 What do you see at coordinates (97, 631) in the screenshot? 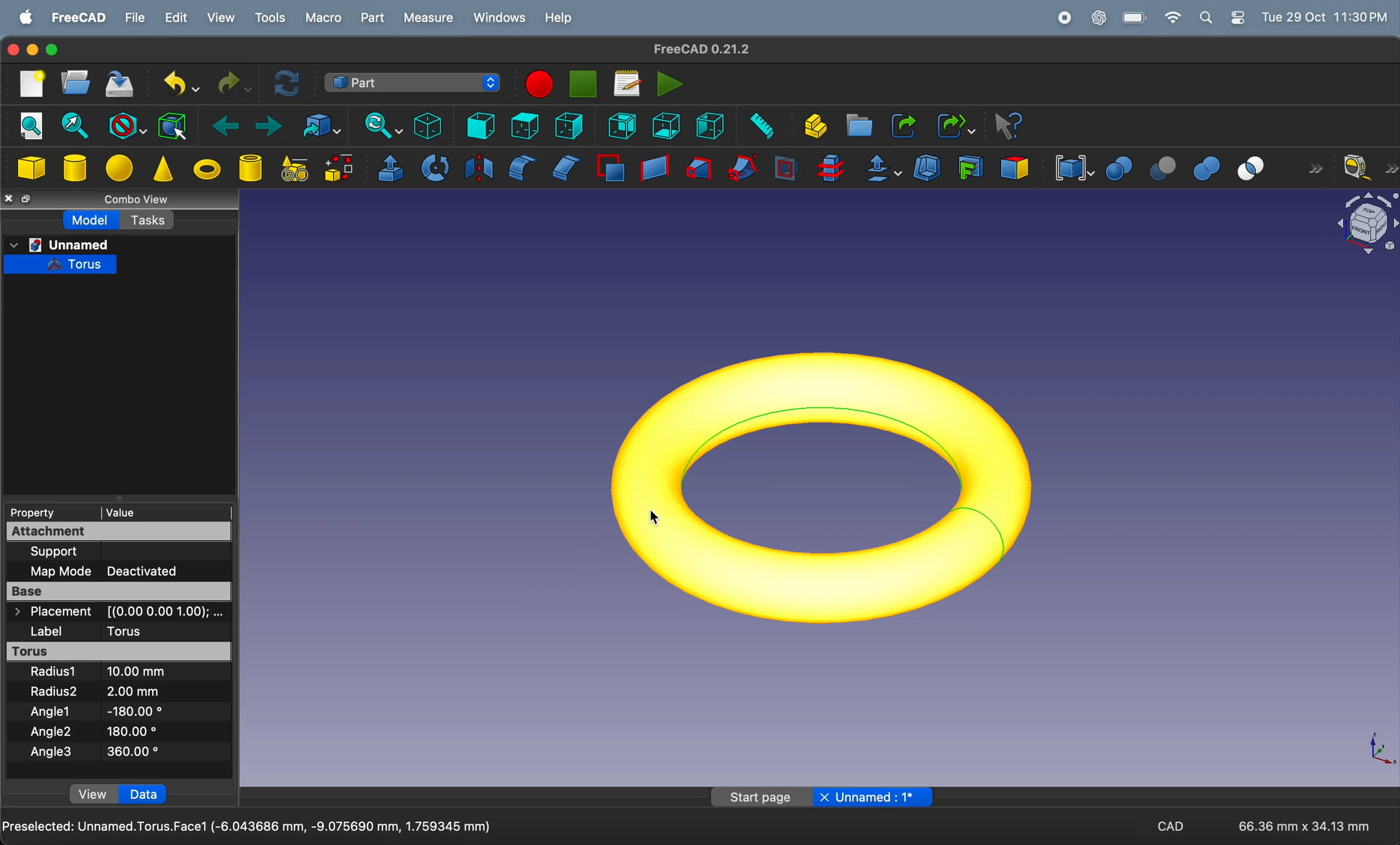
I see `label torus` at bounding box center [97, 631].